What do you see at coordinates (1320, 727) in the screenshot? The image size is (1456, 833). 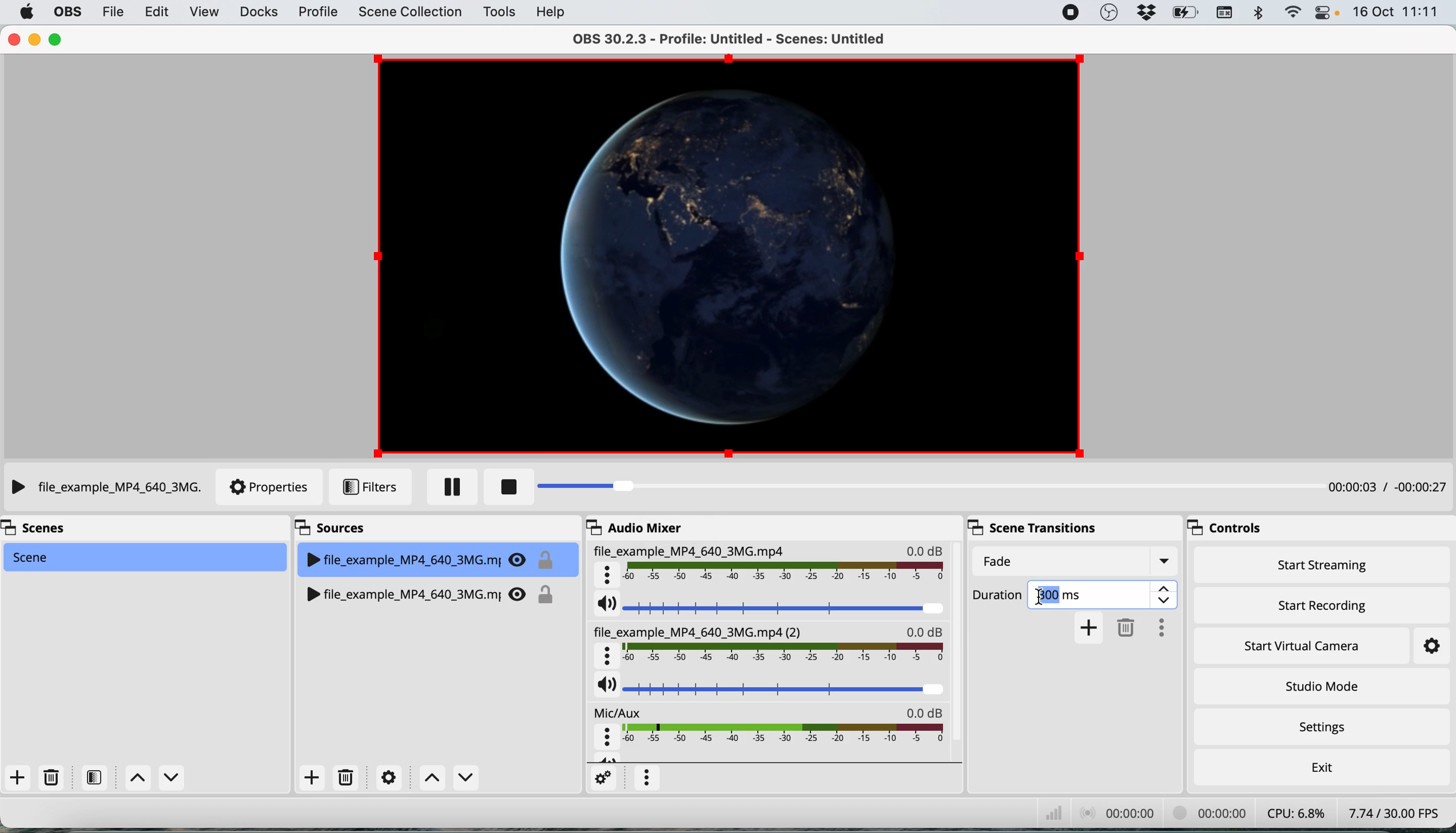 I see `settings` at bounding box center [1320, 727].